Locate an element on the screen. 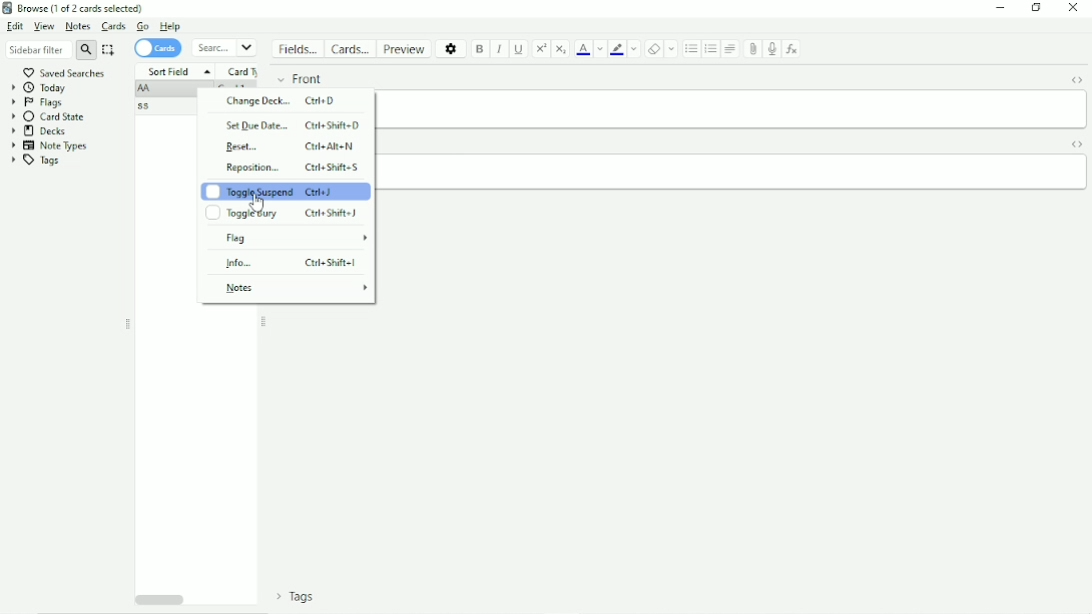 Image resolution: width=1092 pixels, height=614 pixels. Italic is located at coordinates (500, 50).